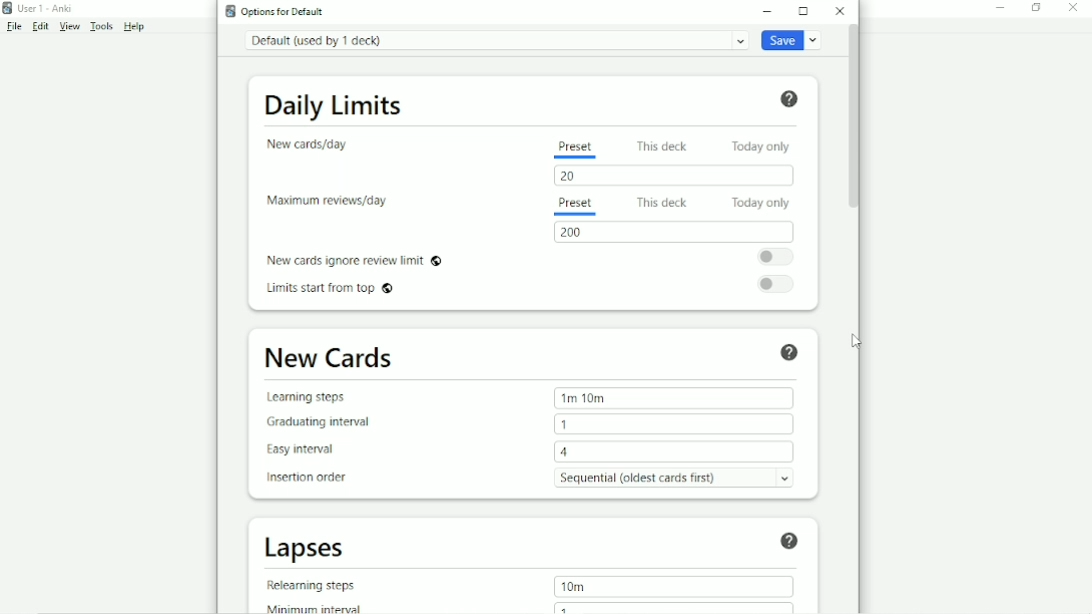 The width and height of the screenshot is (1092, 614). What do you see at coordinates (675, 232) in the screenshot?
I see `200` at bounding box center [675, 232].